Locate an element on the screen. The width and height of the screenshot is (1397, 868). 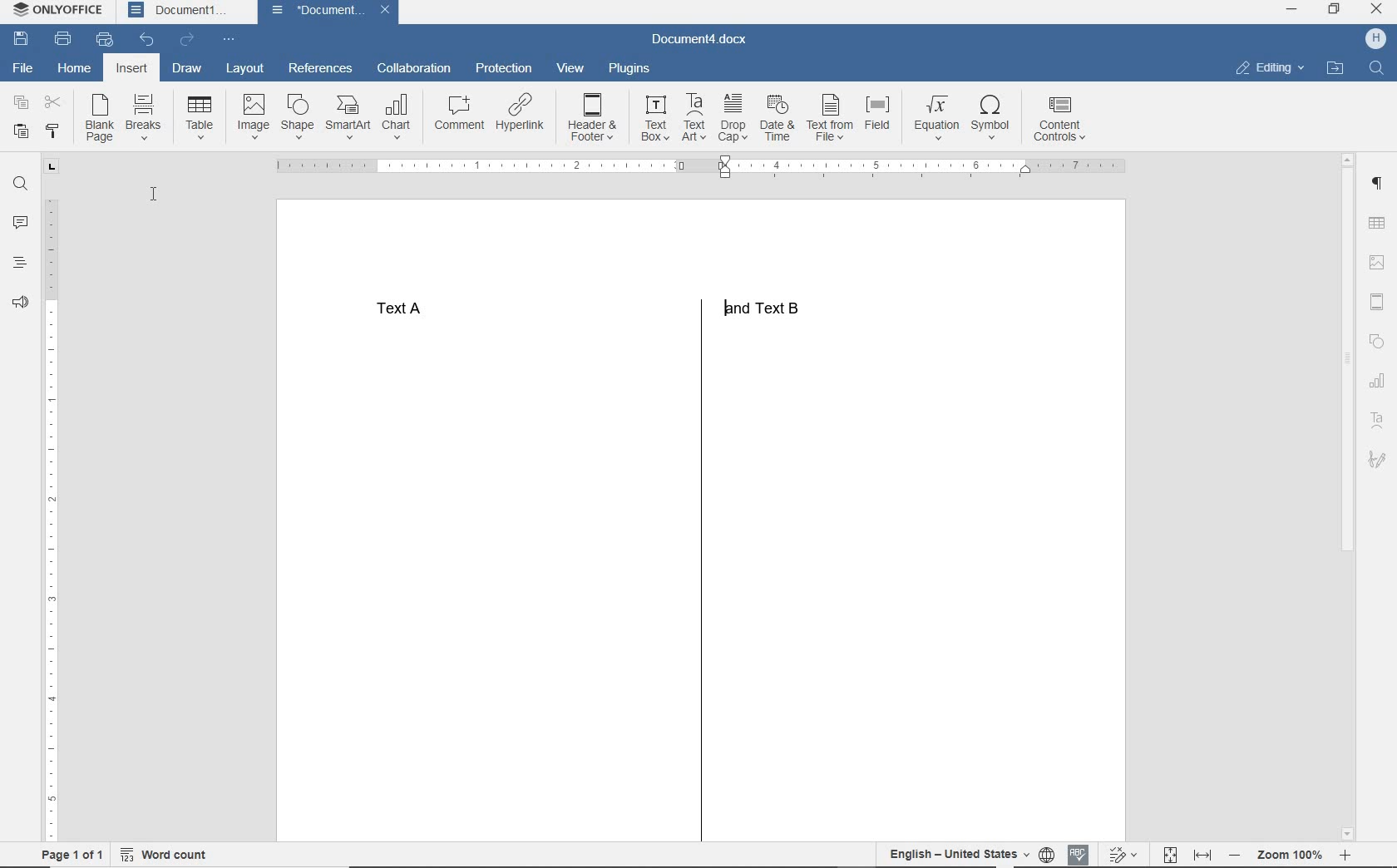
PARAGRAPH SETTINGS is located at coordinates (1377, 184).